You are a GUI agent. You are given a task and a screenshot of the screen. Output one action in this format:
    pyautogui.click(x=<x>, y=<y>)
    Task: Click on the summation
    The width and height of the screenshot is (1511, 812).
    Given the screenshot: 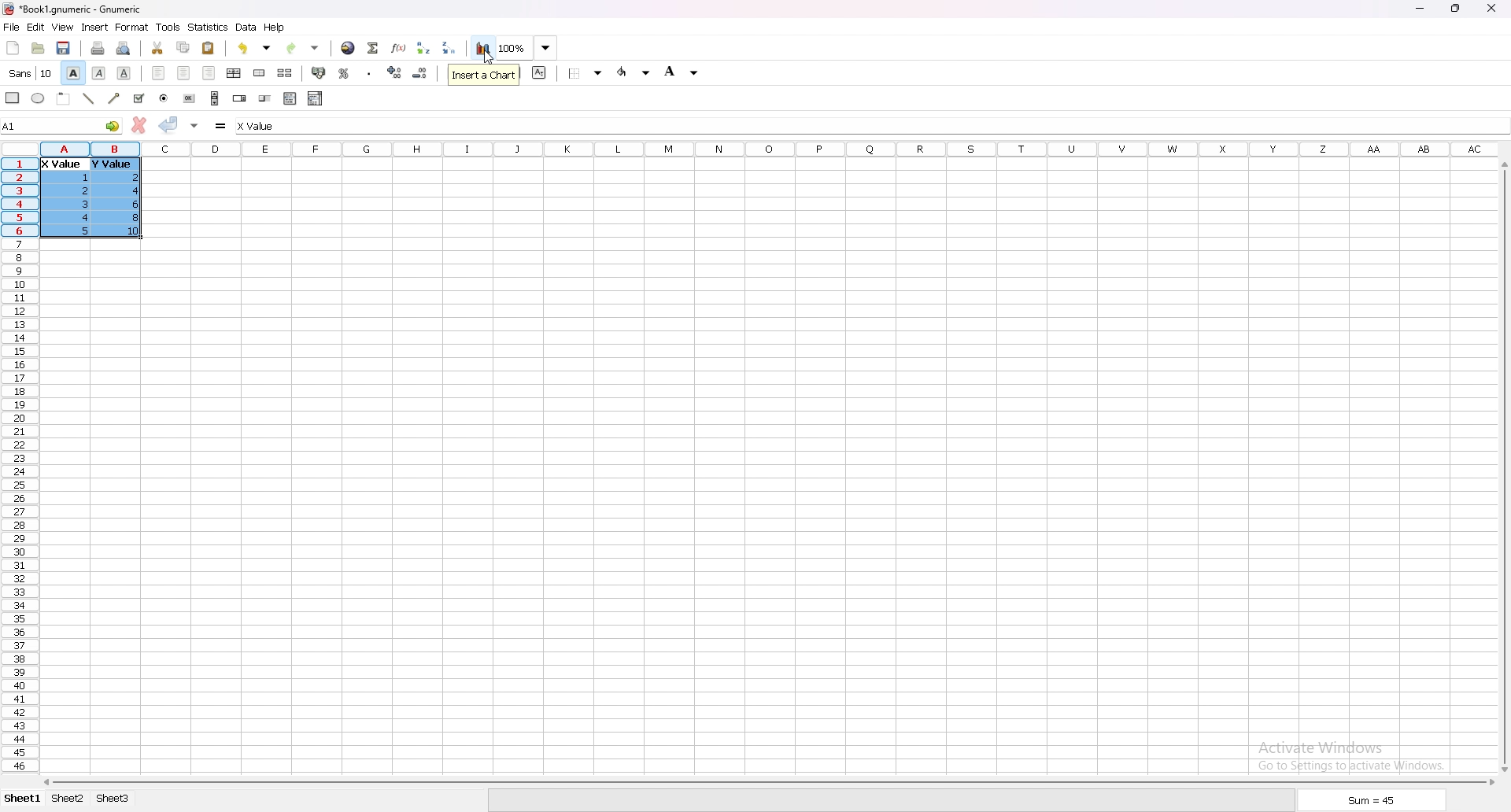 What is the action you would take?
    pyautogui.click(x=372, y=47)
    